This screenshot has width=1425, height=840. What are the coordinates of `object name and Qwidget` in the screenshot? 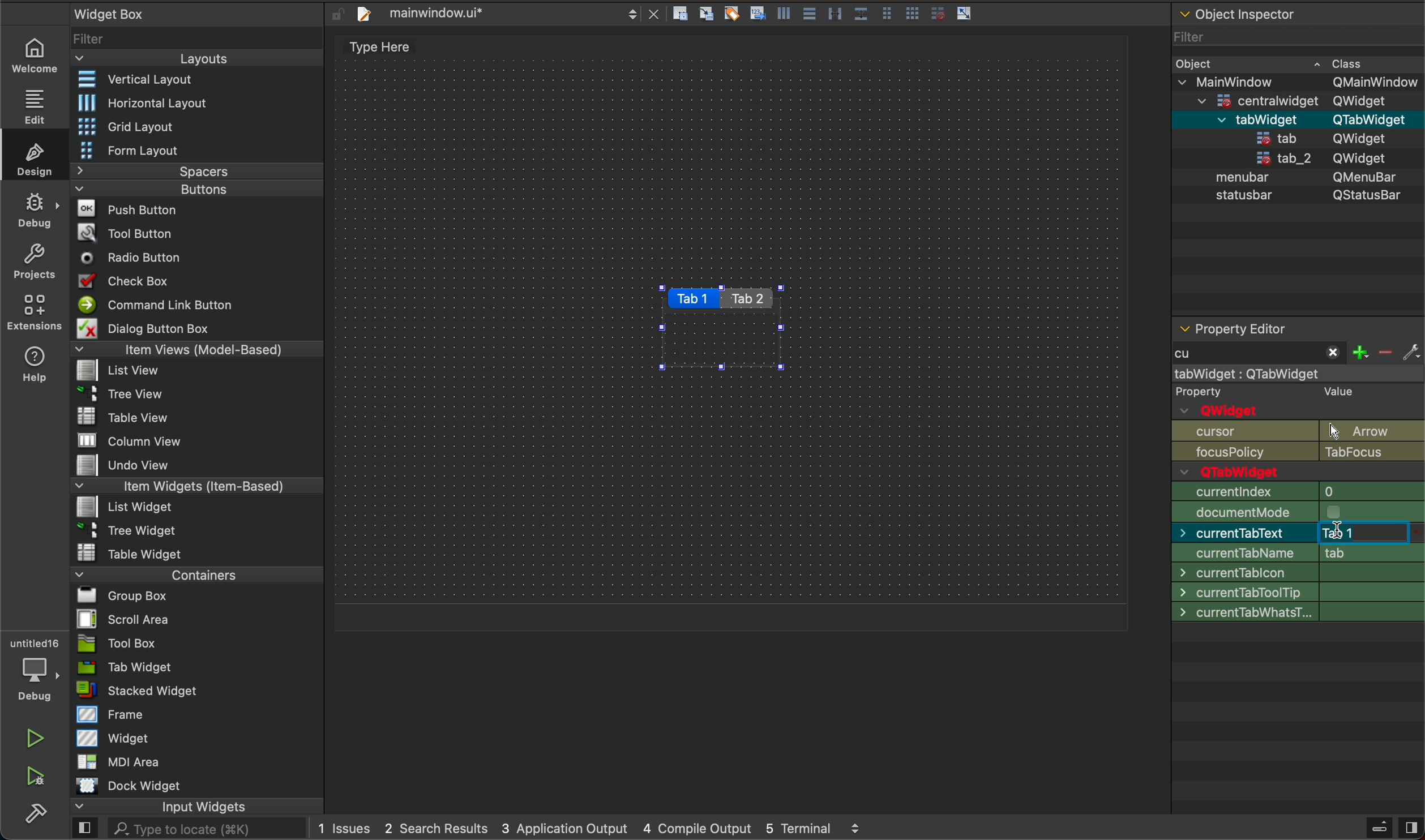 It's located at (1303, 440).